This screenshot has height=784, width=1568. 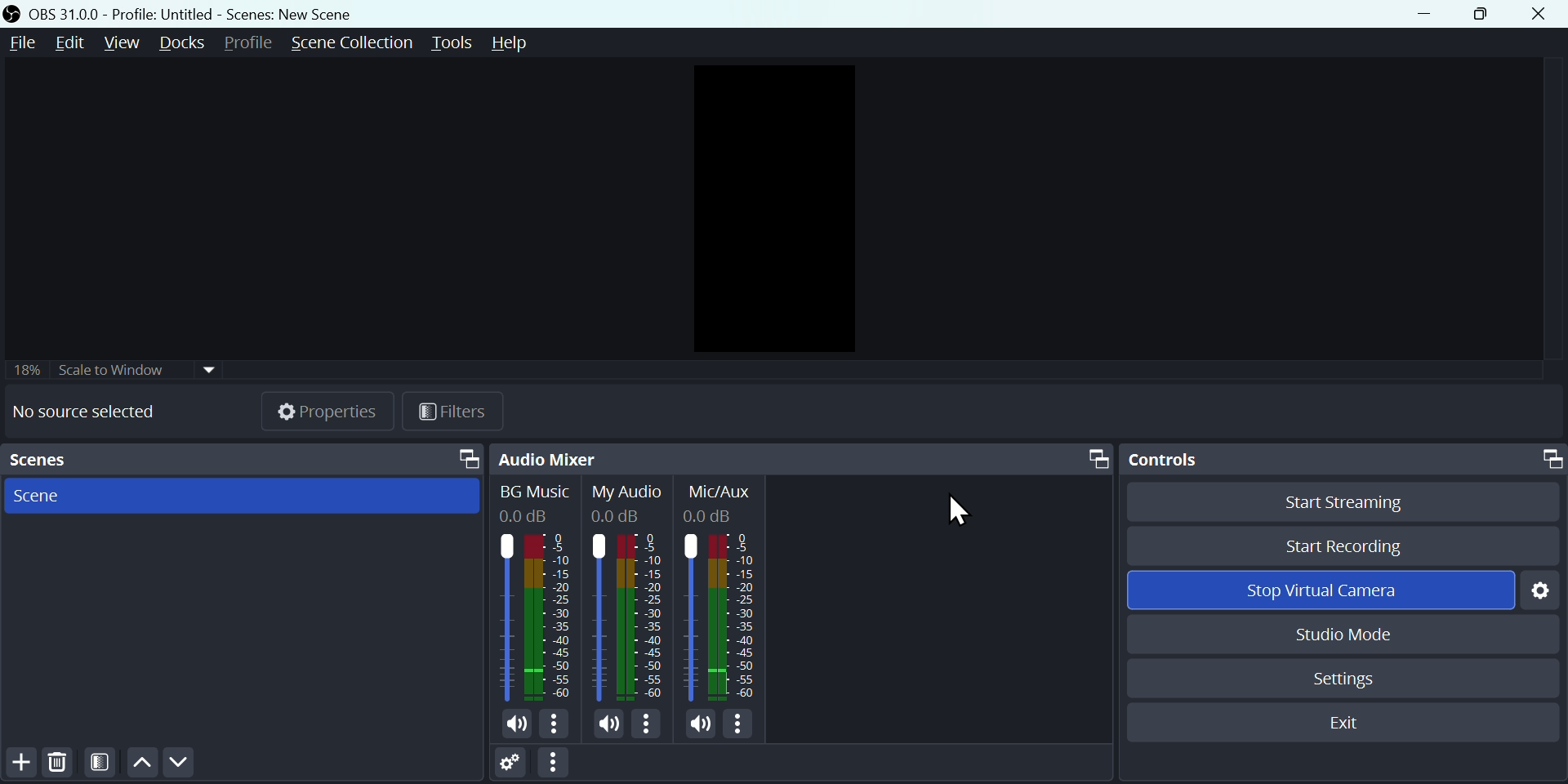 I want to click on Settings, so click(x=510, y=760).